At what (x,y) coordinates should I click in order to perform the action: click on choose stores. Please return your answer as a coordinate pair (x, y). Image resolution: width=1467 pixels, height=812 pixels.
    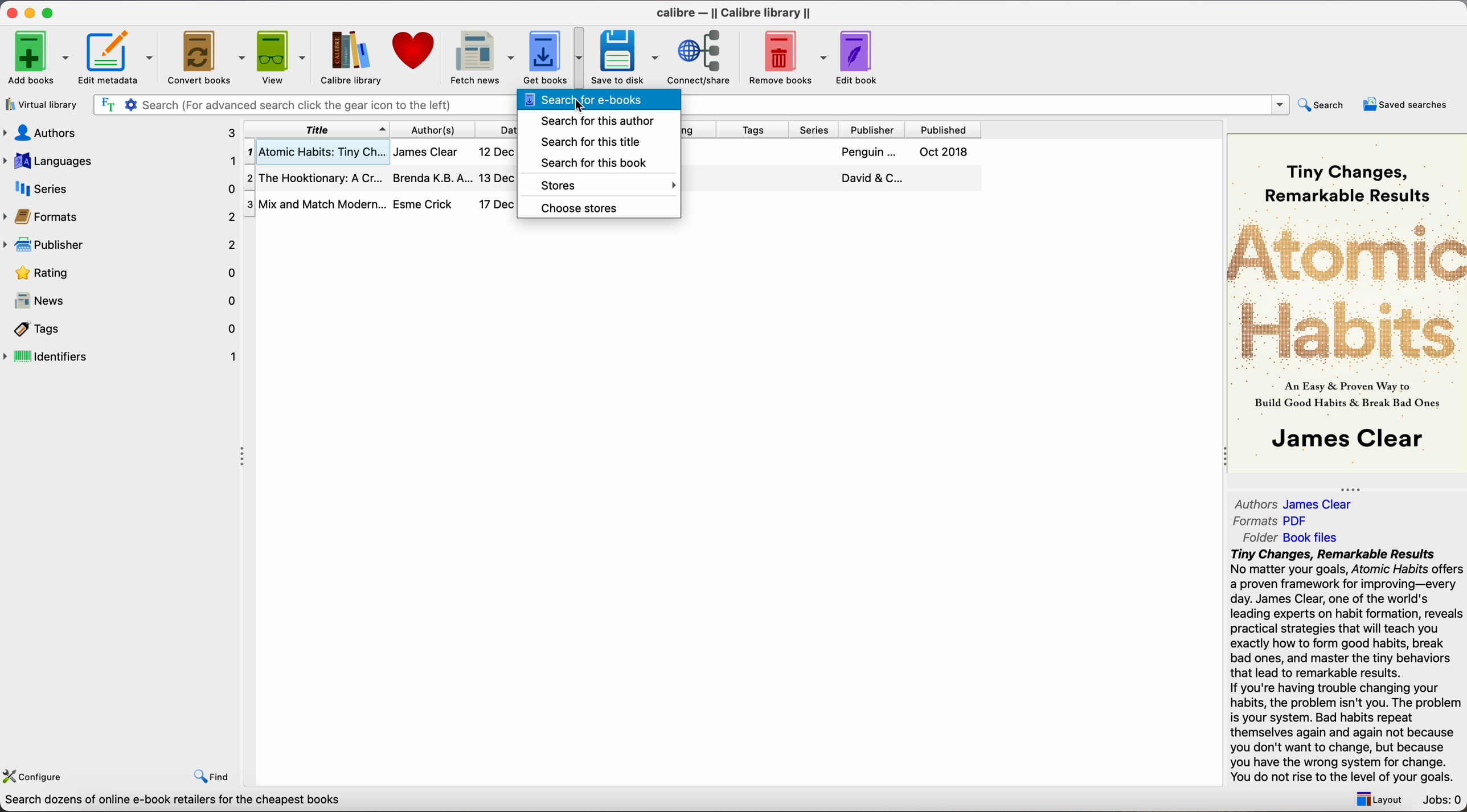
    Looking at the image, I should click on (577, 208).